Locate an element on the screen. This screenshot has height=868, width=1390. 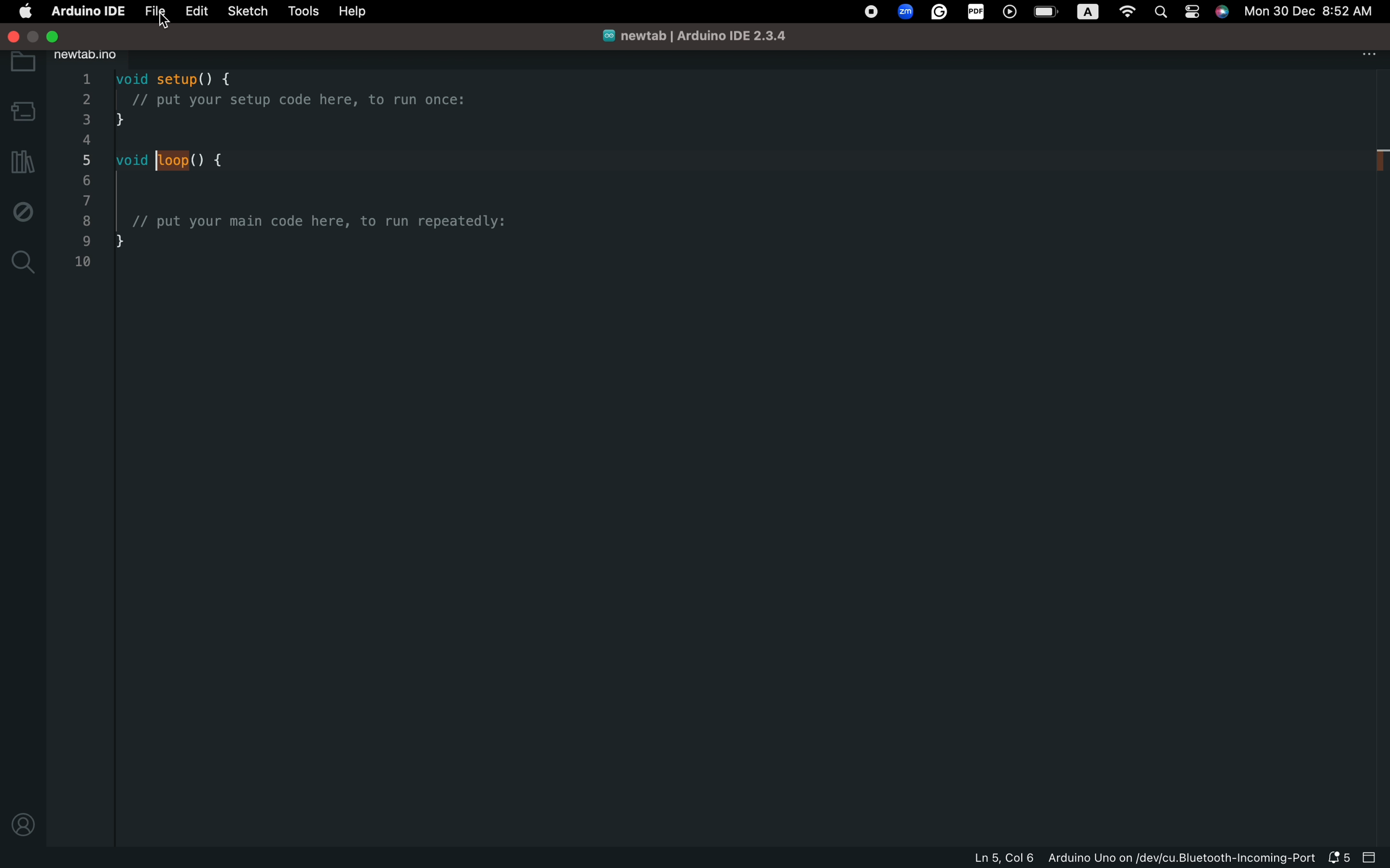
folder is located at coordinates (23, 64).